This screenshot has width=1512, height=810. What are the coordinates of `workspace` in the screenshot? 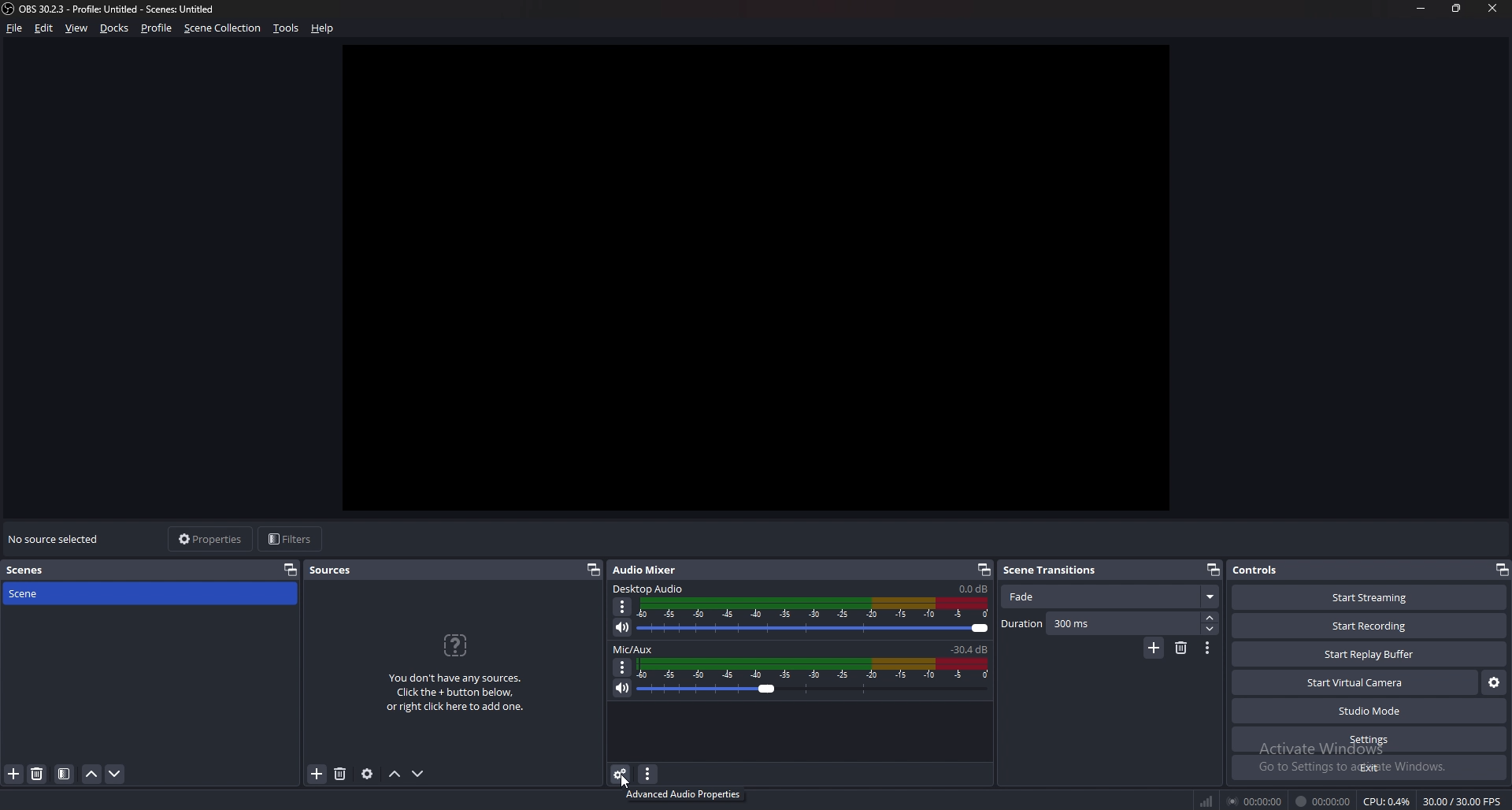 It's located at (761, 279).